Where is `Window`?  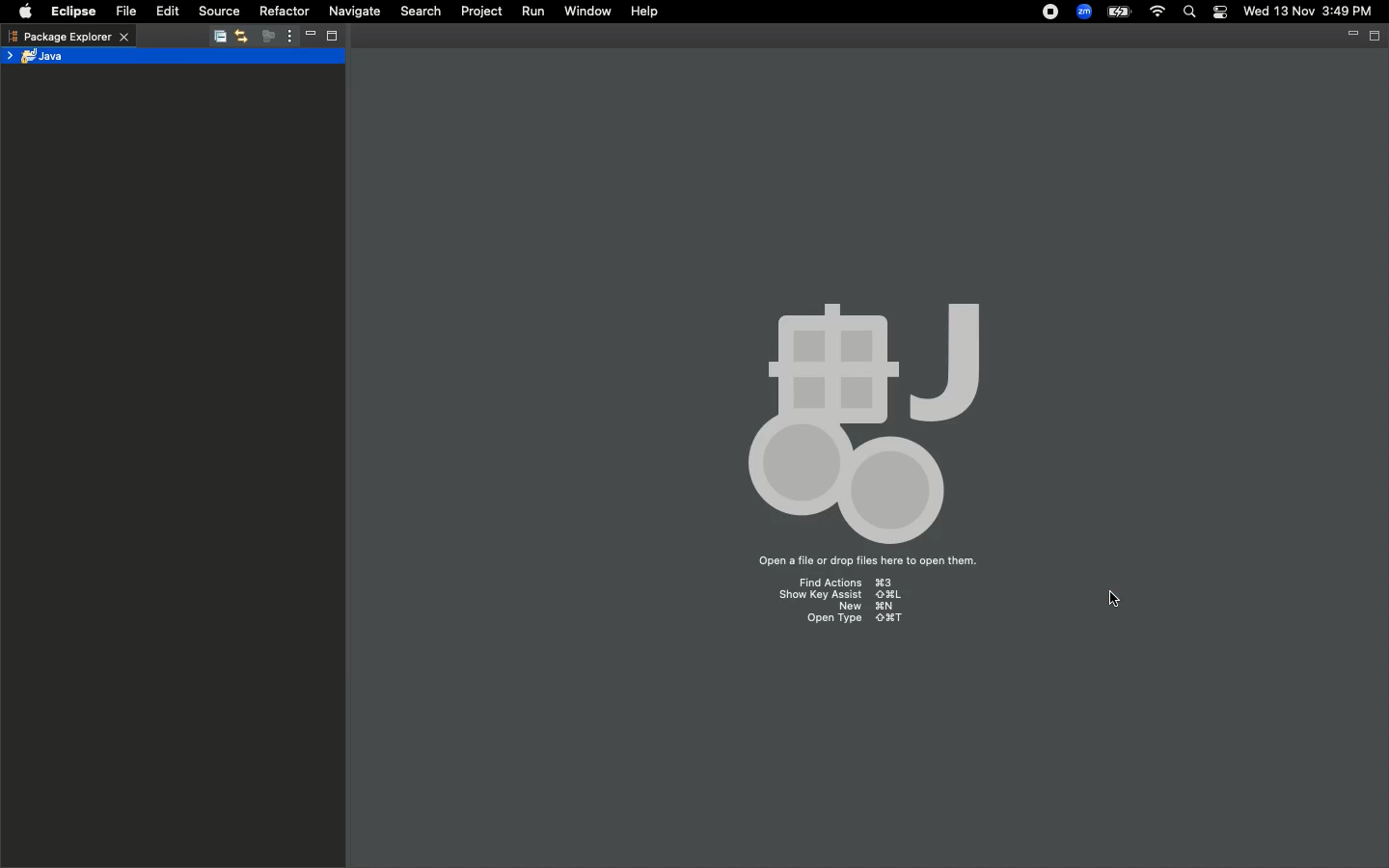
Window is located at coordinates (586, 12).